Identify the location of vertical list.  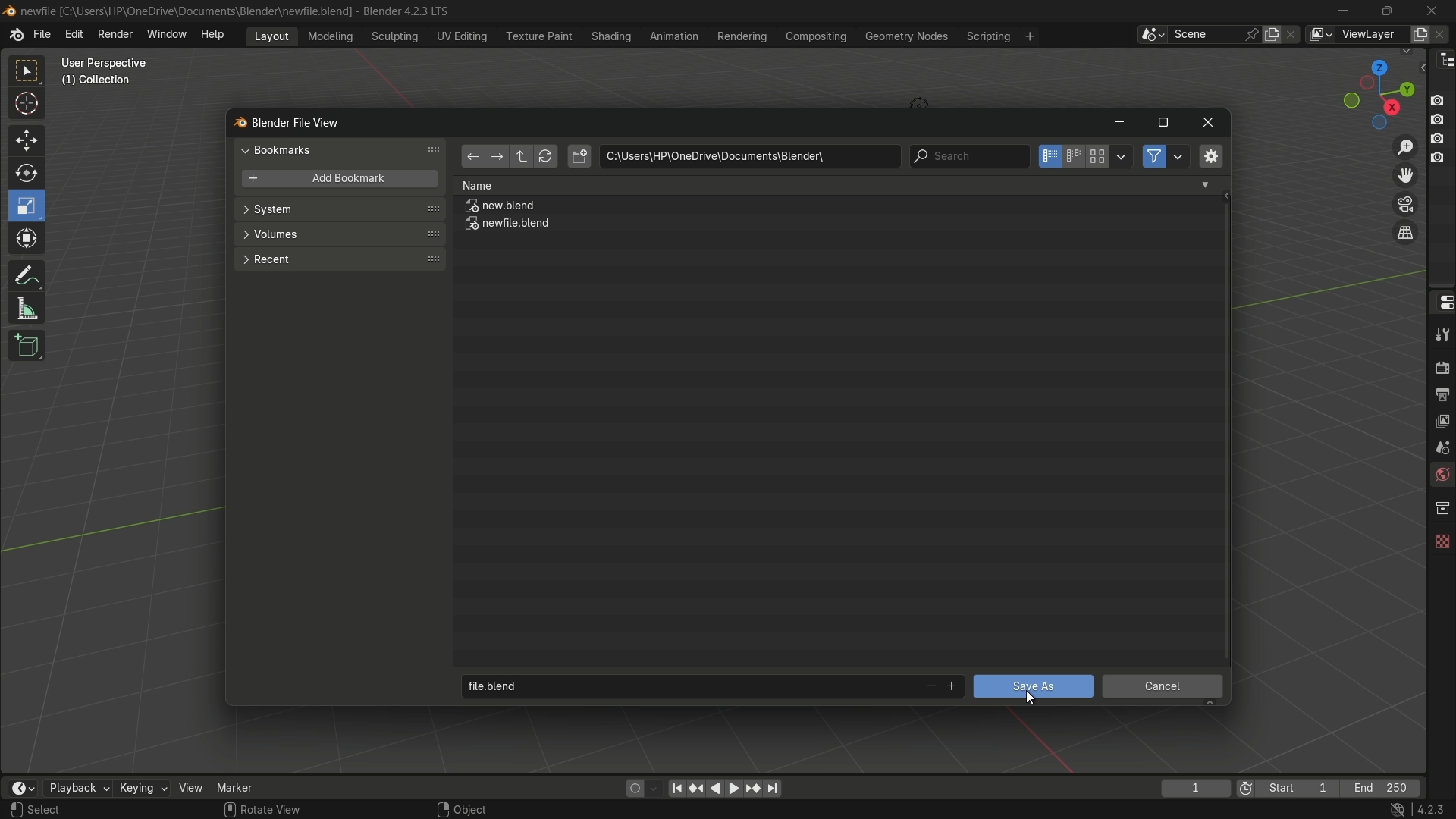
(1048, 156).